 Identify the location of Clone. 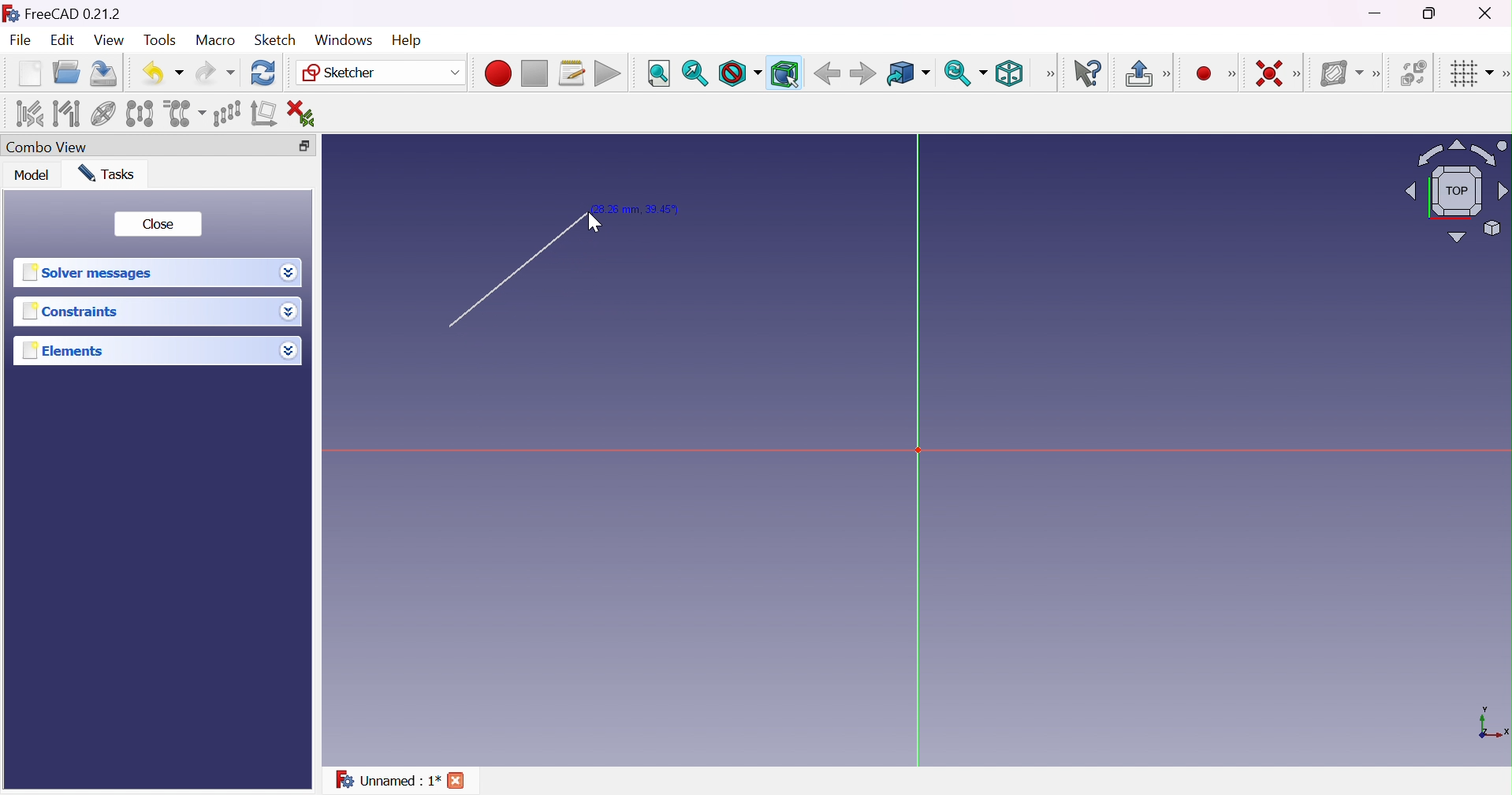
(184, 112).